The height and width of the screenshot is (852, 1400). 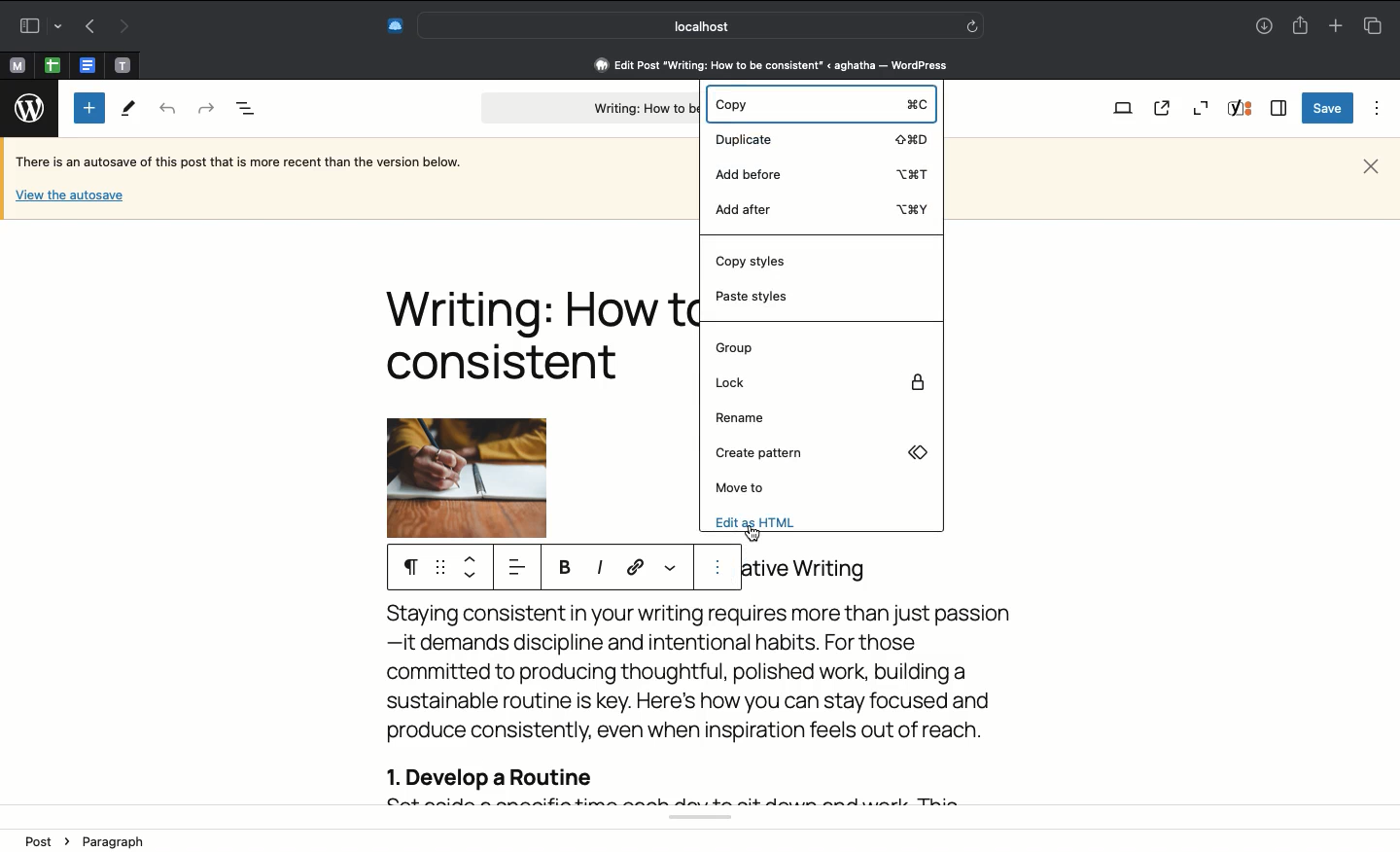 What do you see at coordinates (439, 568) in the screenshot?
I see `Drag` at bounding box center [439, 568].